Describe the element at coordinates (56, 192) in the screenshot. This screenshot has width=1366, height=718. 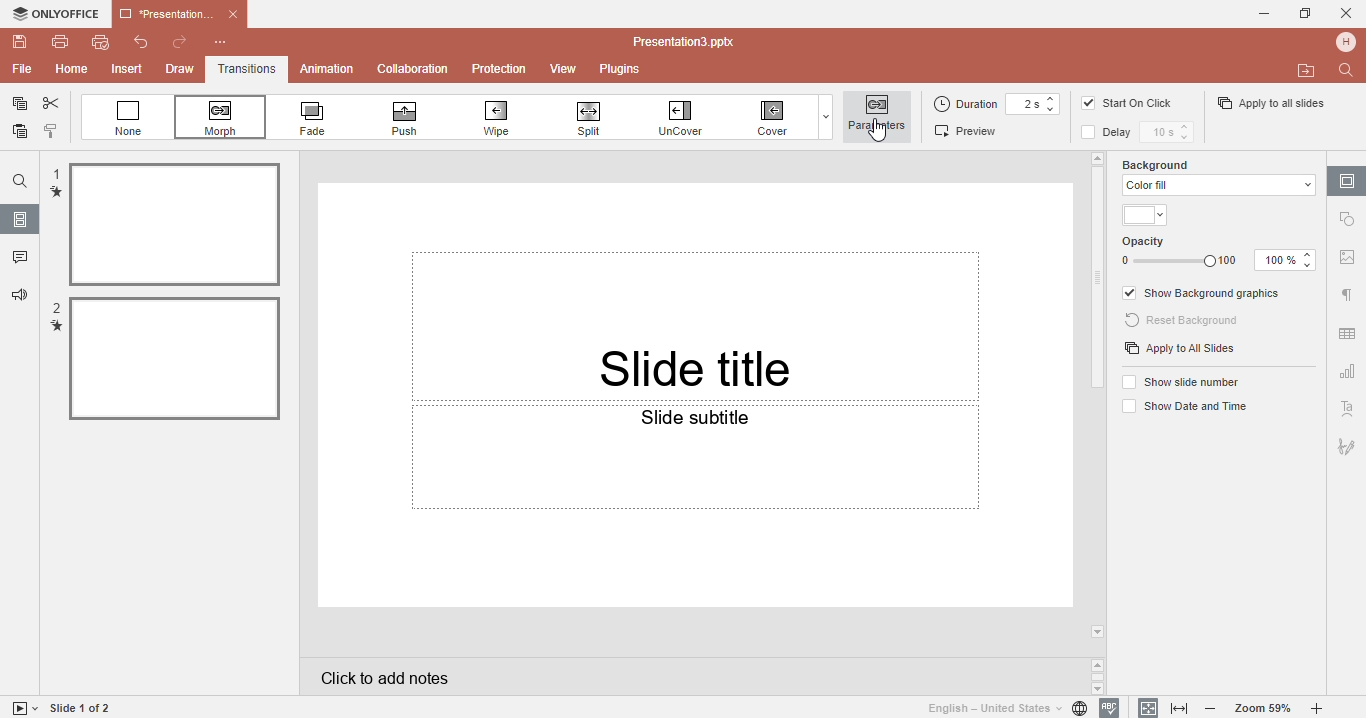
I see `transition mark` at that location.